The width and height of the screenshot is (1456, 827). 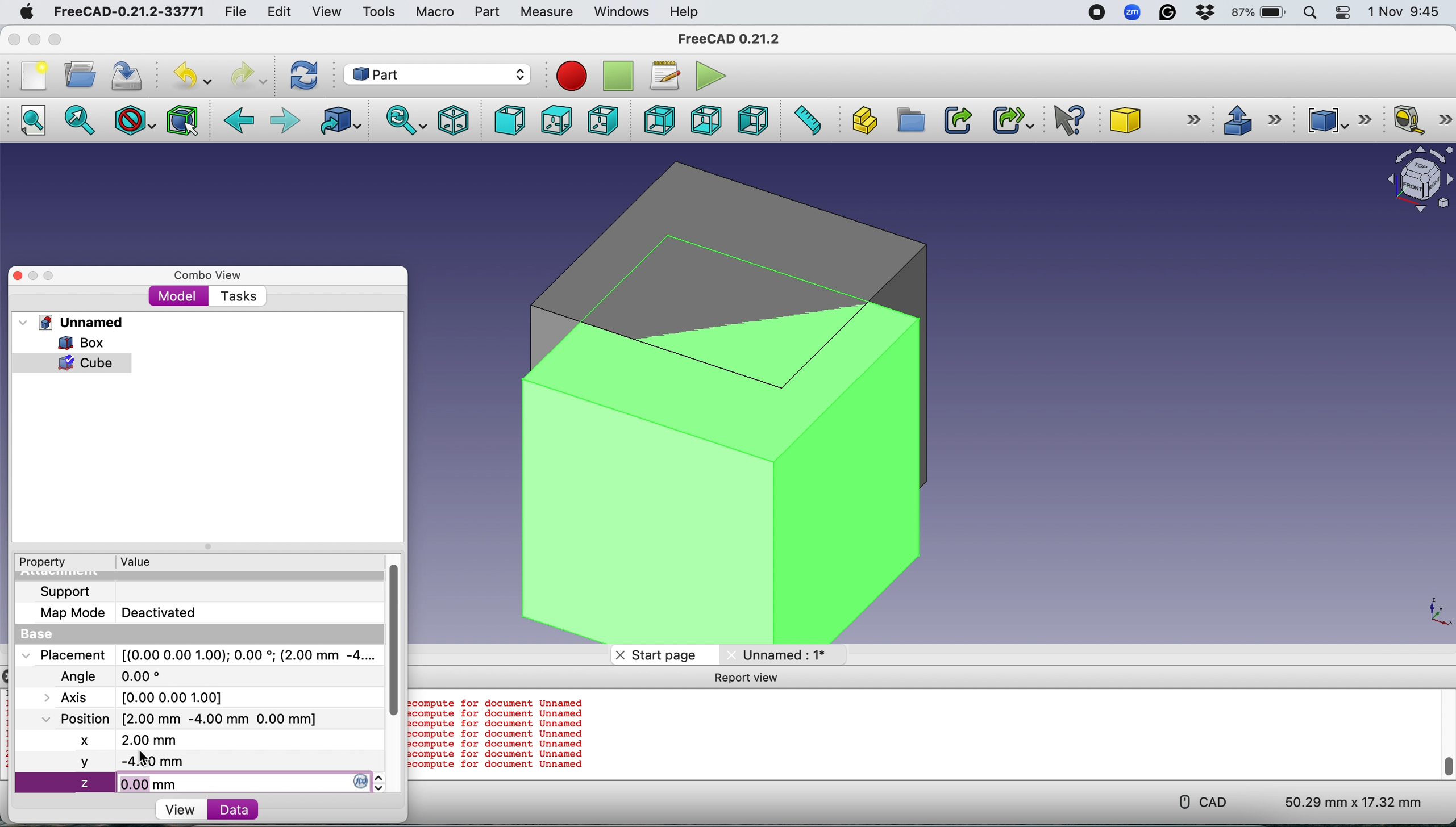 I want to click on CAD, so click(x=1197, y=800).